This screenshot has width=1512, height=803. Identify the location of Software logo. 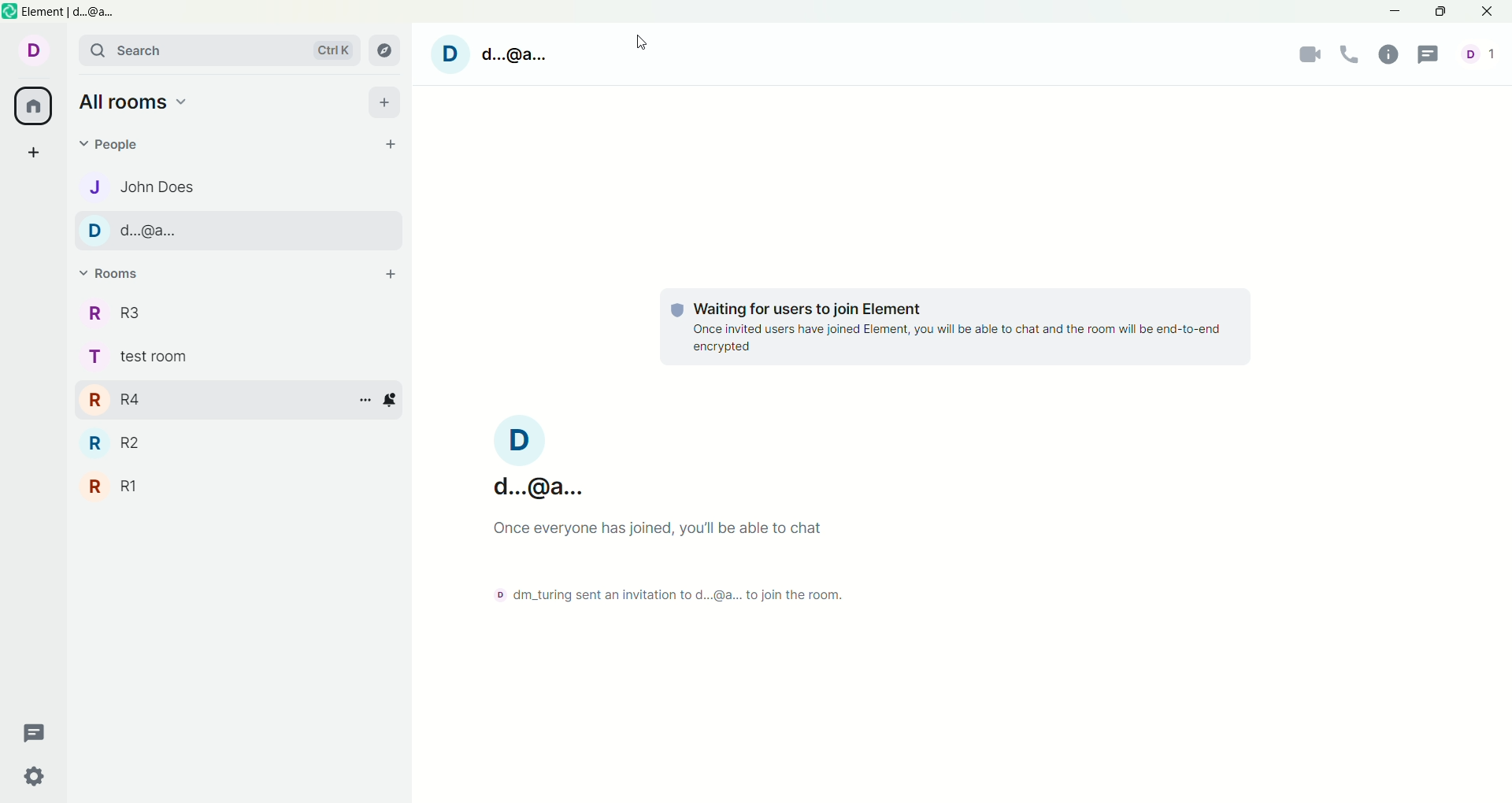
(9, 11).